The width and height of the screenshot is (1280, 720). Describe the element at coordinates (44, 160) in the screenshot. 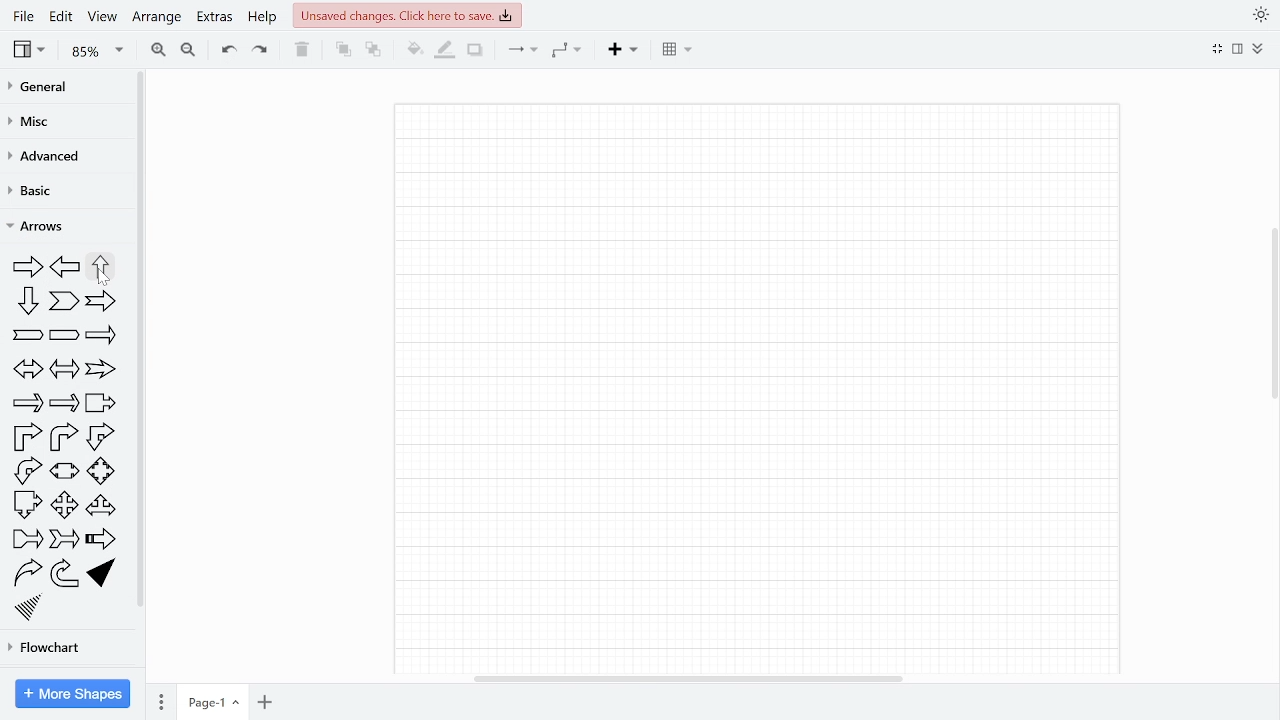

I see `Advanced` at that location.